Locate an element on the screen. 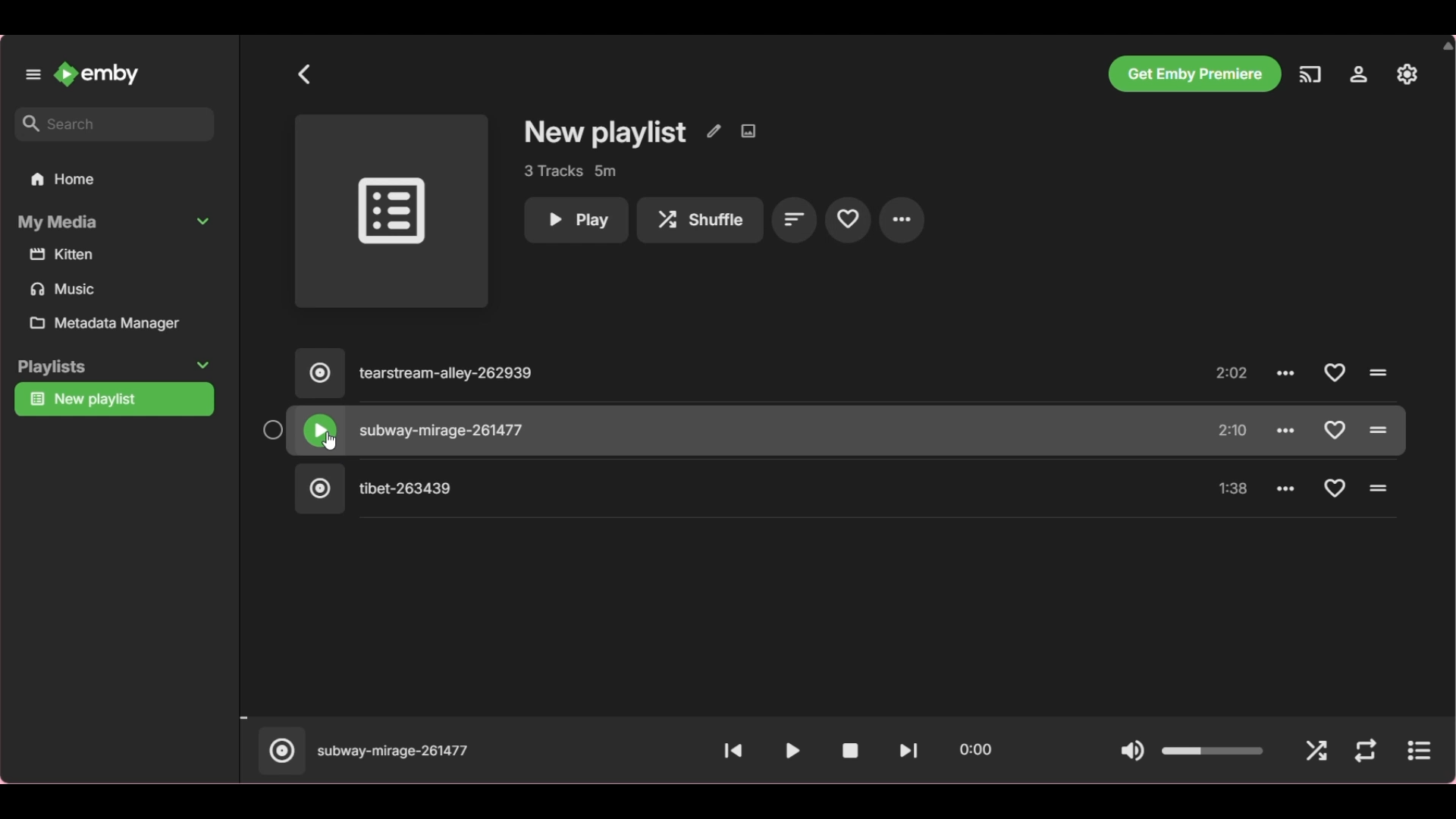 This screenshot has height=819, width=1456. Go to home is located at coordinates (115, 178).